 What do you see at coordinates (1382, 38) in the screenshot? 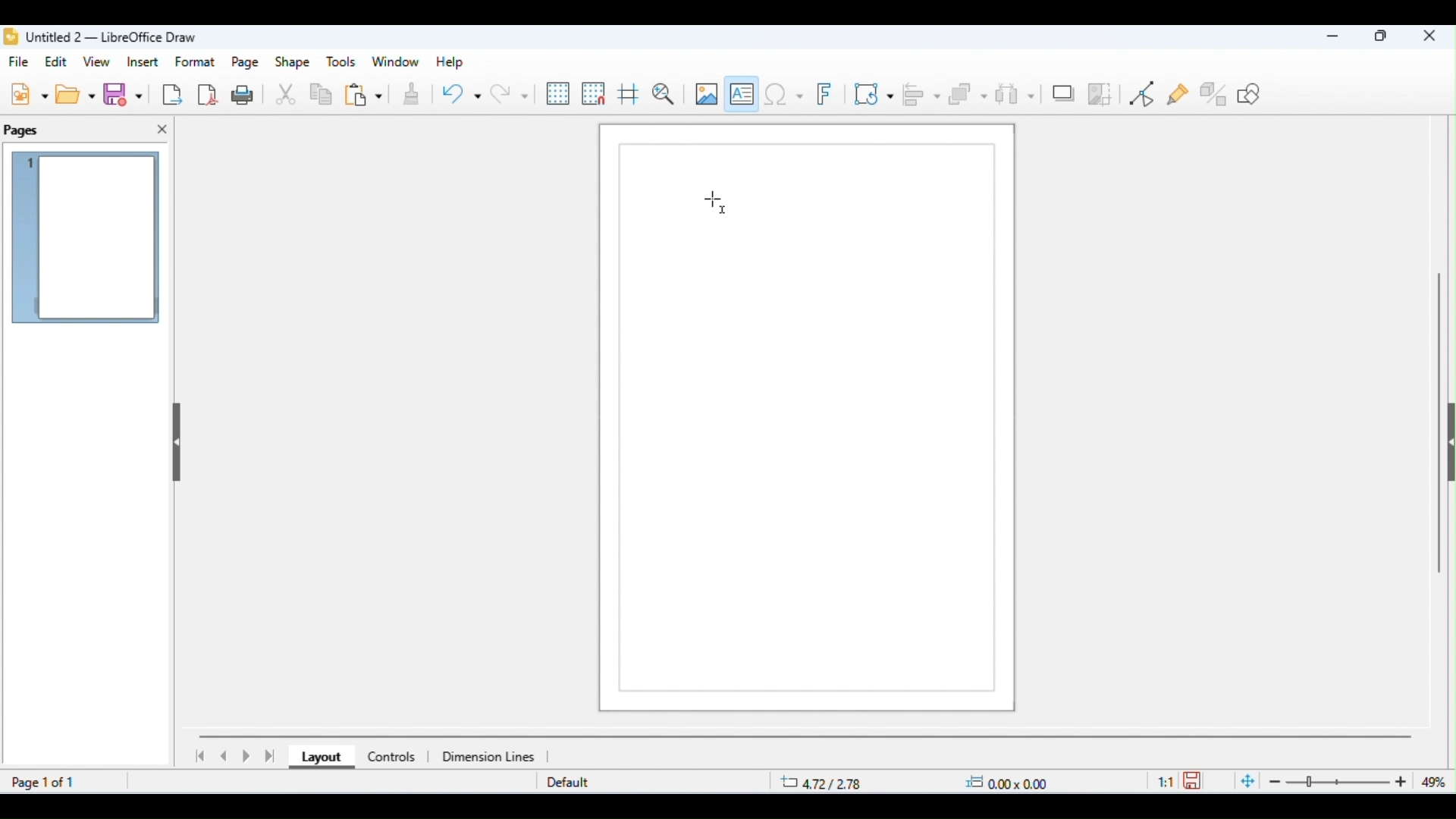
I see `maximize` at bounding box center [1382, 38].